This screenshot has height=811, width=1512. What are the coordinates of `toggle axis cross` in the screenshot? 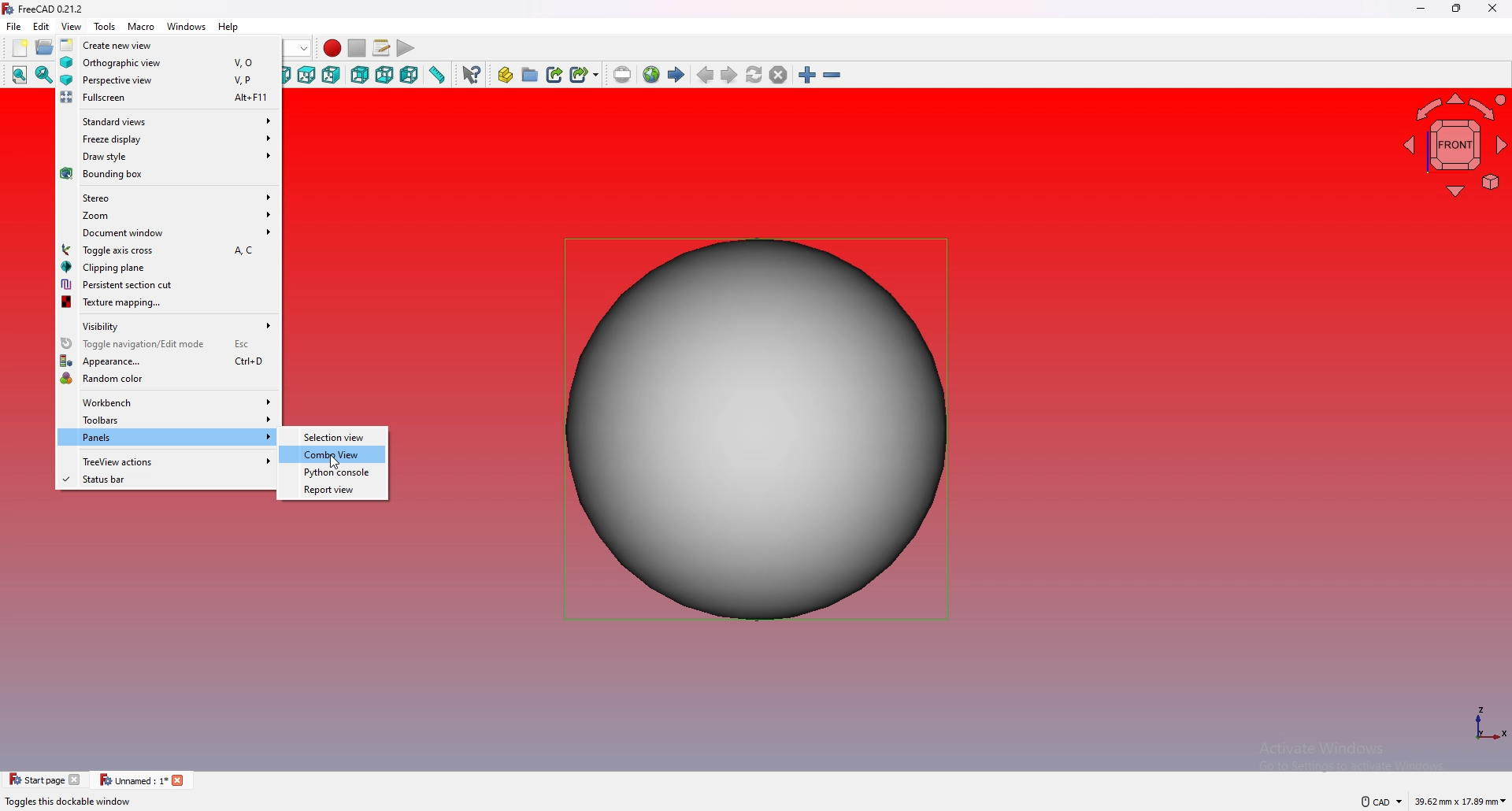 It's located at (169, 250).